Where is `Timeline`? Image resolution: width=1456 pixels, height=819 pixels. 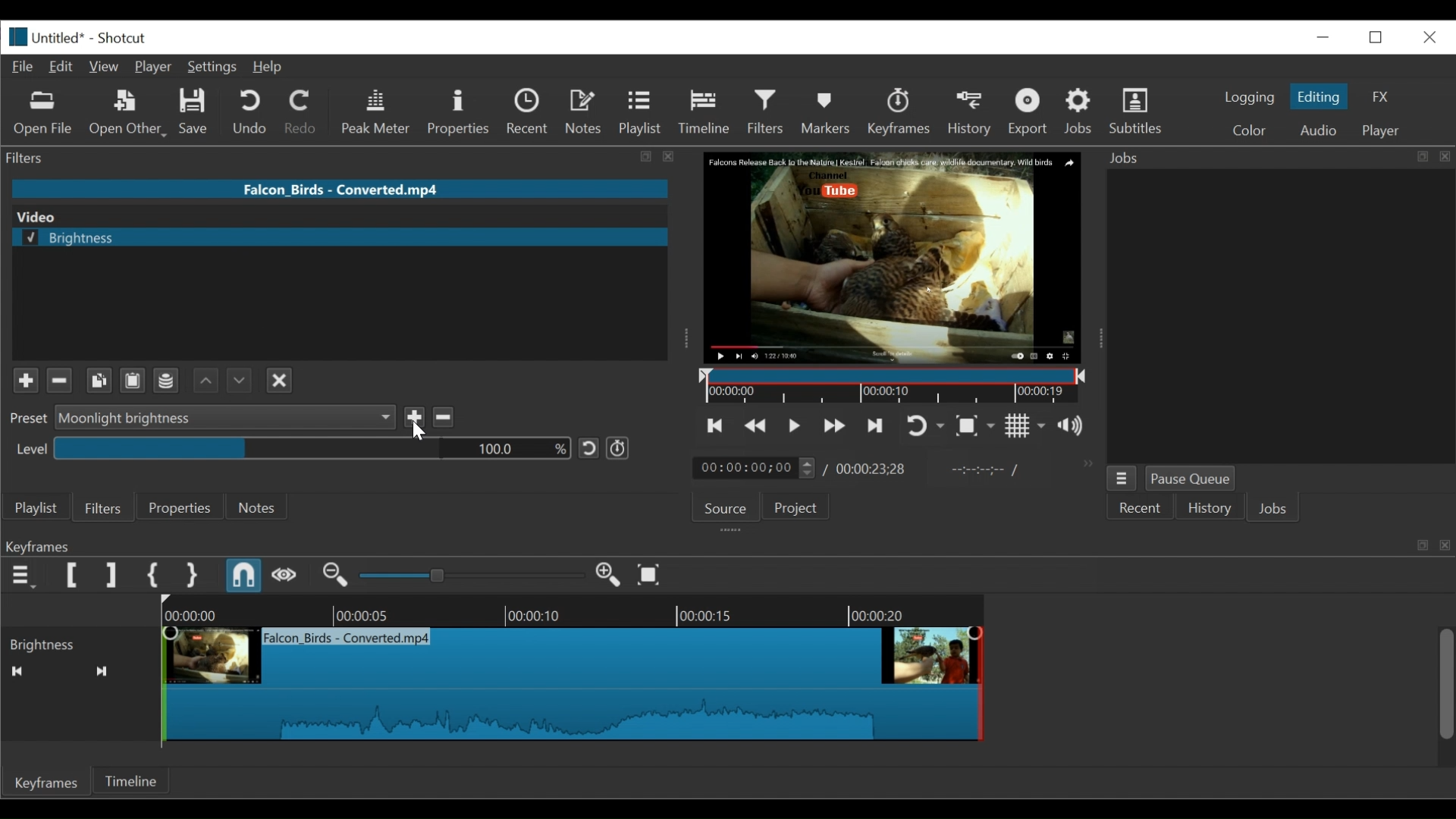
Timeline is located at coordinates (133, 779).